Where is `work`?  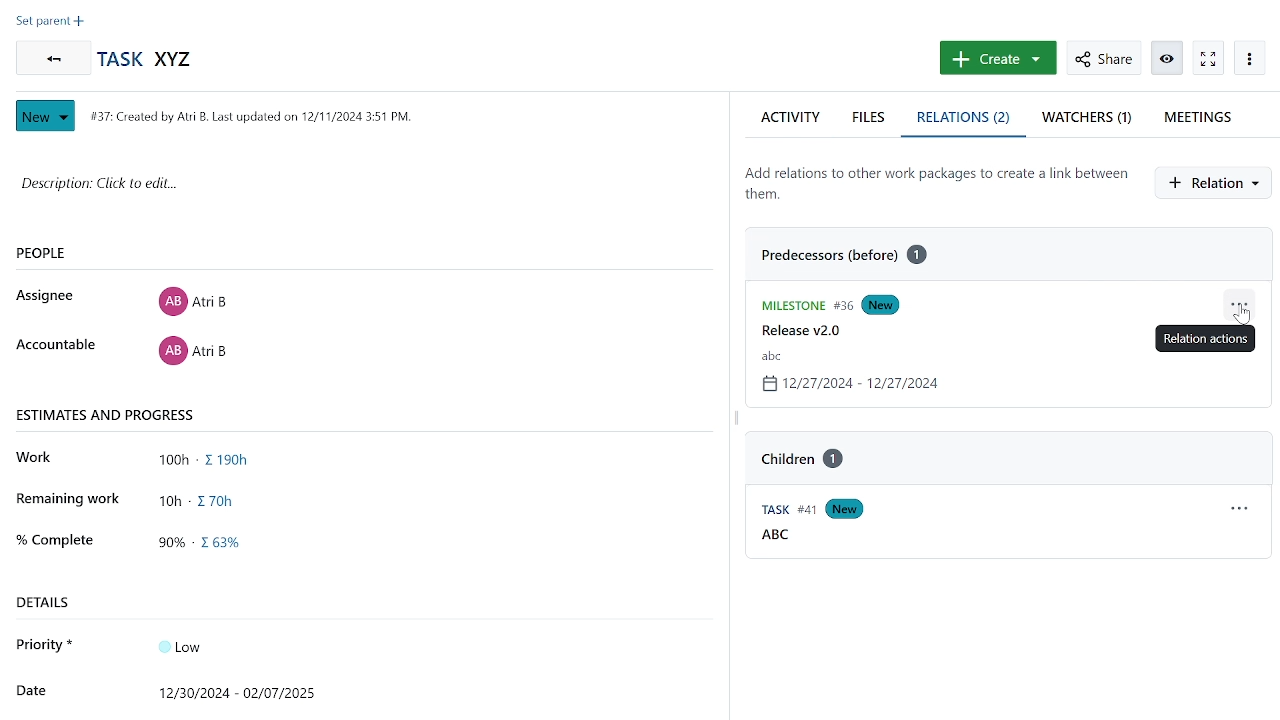
work is located at coordinates (40, 458).